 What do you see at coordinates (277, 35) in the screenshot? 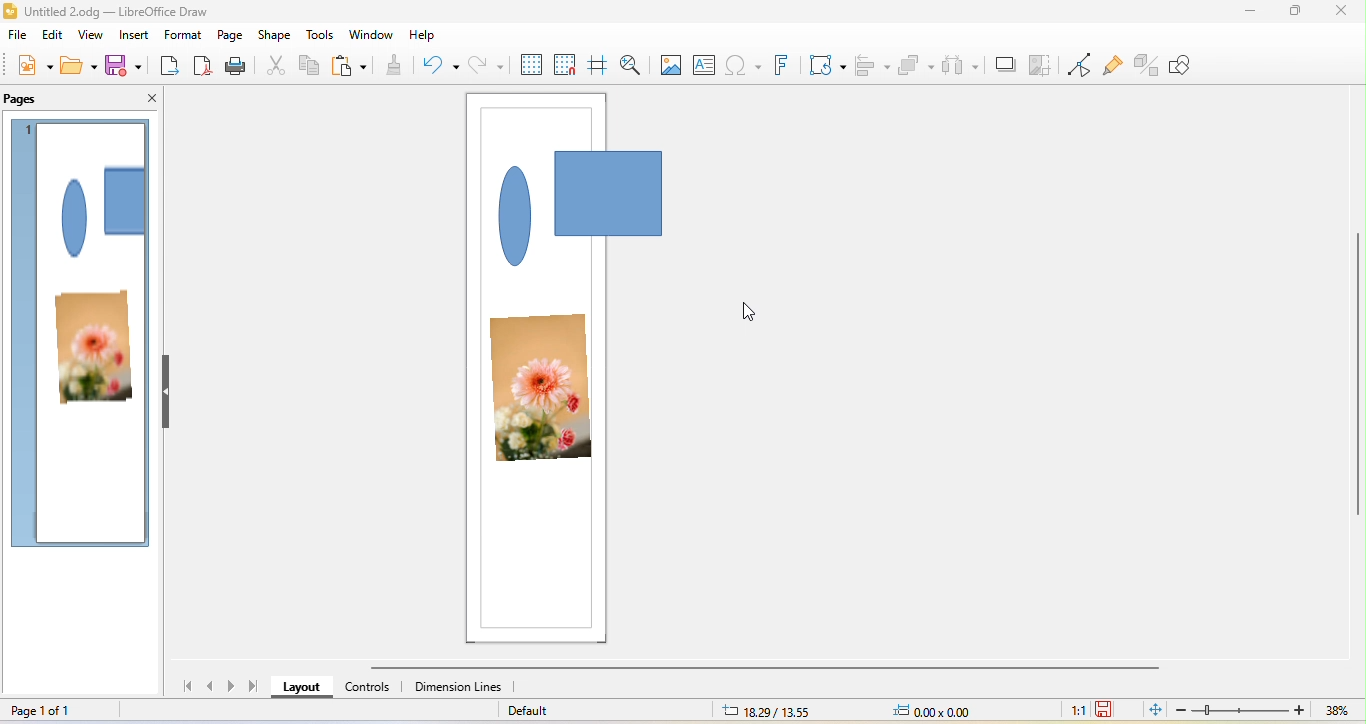
I see `shape` at bounding box center [277, 35].